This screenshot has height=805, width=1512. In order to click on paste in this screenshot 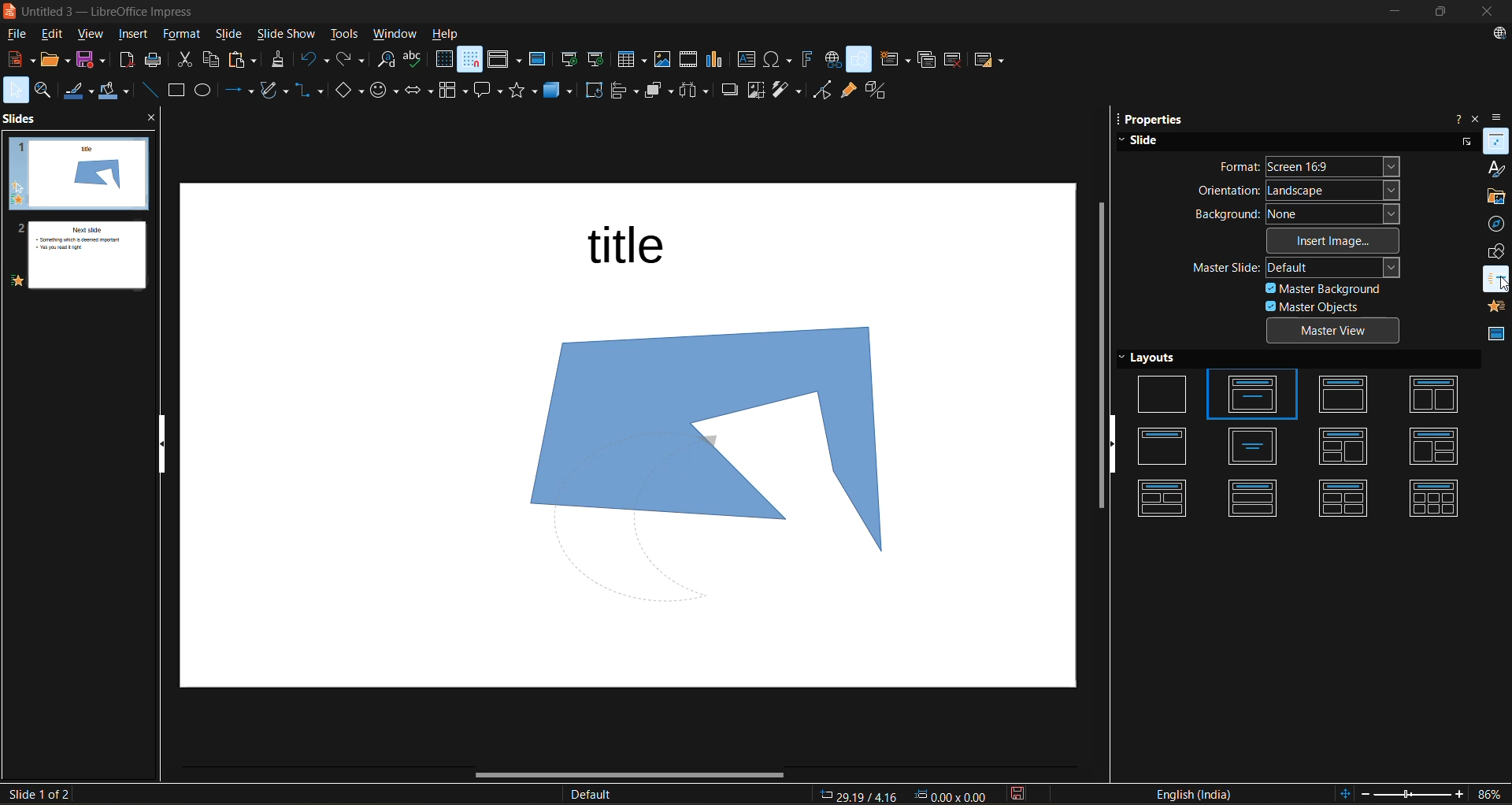, I will do `click(243, 61)`.